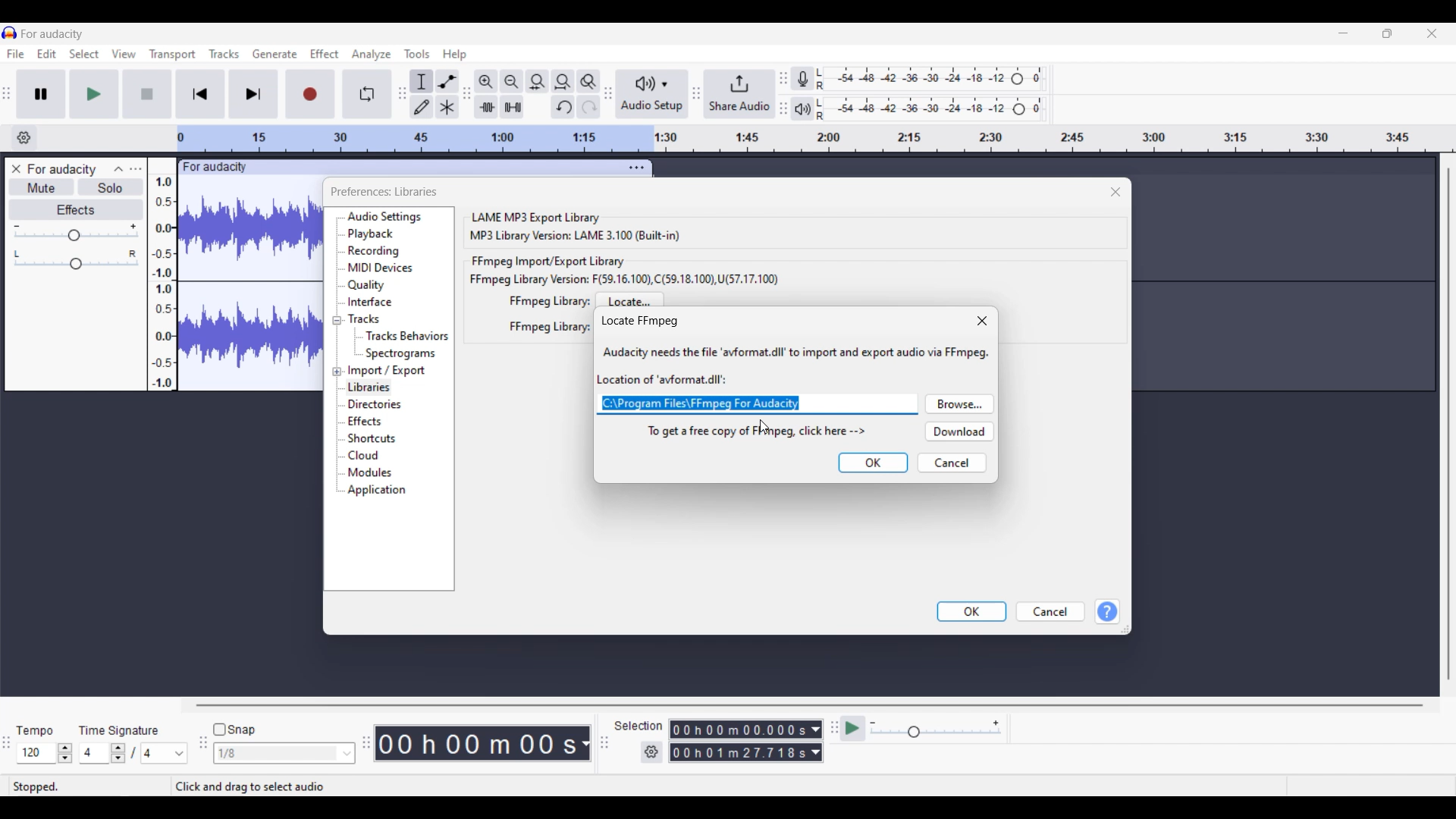  I want to click on time signature, so click(118, 731).